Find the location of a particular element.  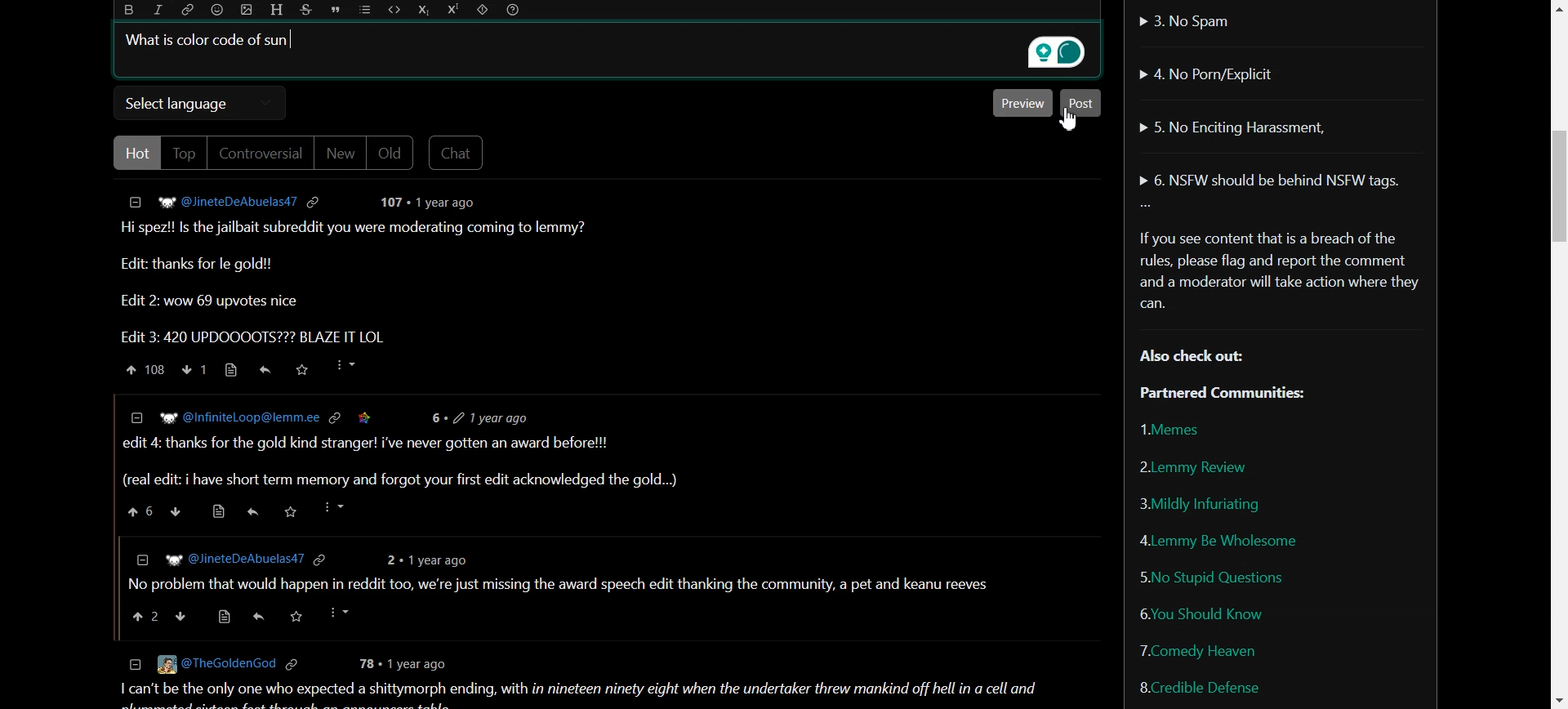

Grammarly is located at coordinates (1048, 51).